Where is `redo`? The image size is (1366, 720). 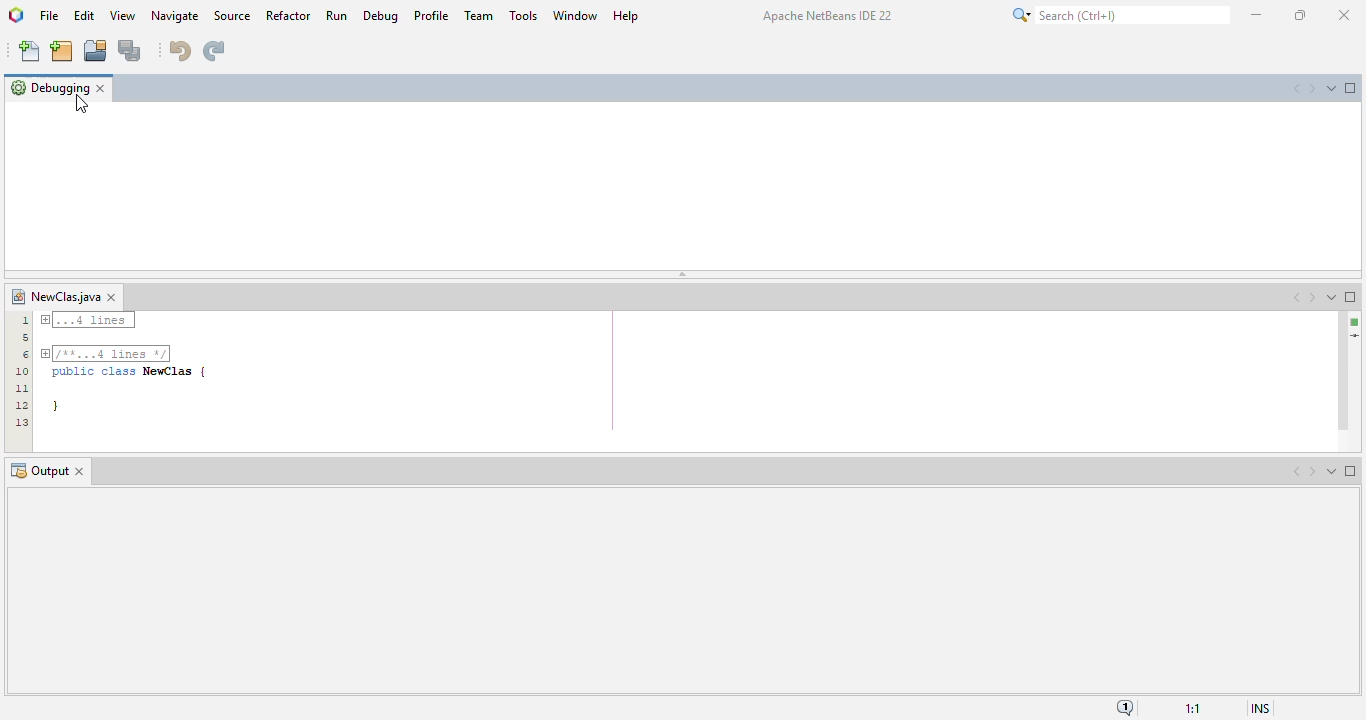 redo is located at coordinates (213, 50).